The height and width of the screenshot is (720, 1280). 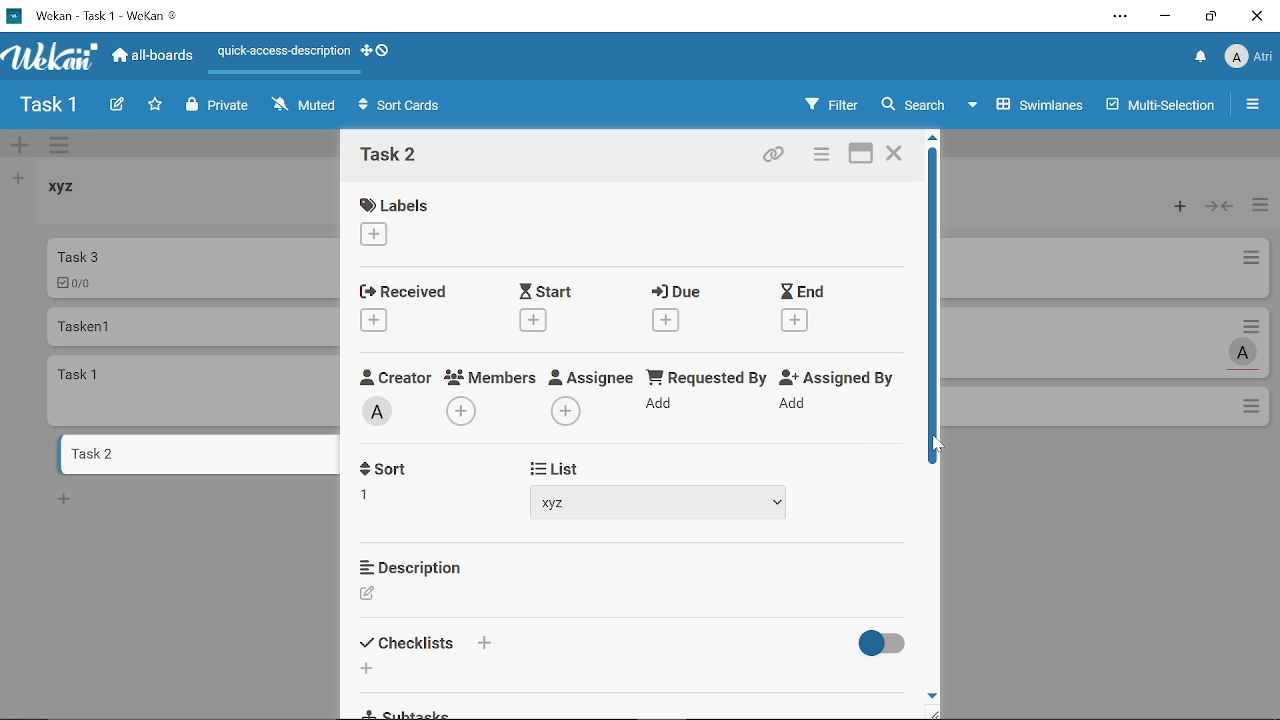 I want to click on Add swimlane, so click(x=20, y=147).